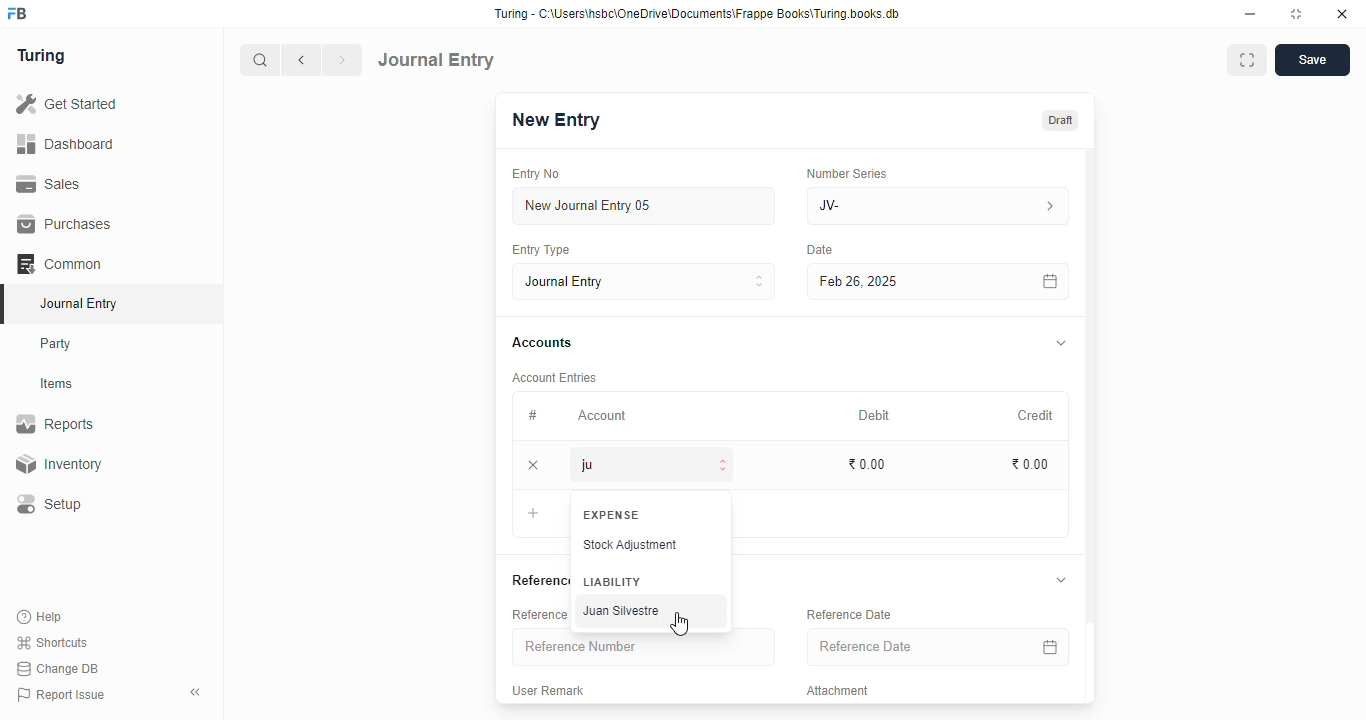 The height and width of the screenshot is (720, 1366). What do you see at coordinates (645, 281) in the screenshot?
I see `journal entry` at bounding box center [645, 281].